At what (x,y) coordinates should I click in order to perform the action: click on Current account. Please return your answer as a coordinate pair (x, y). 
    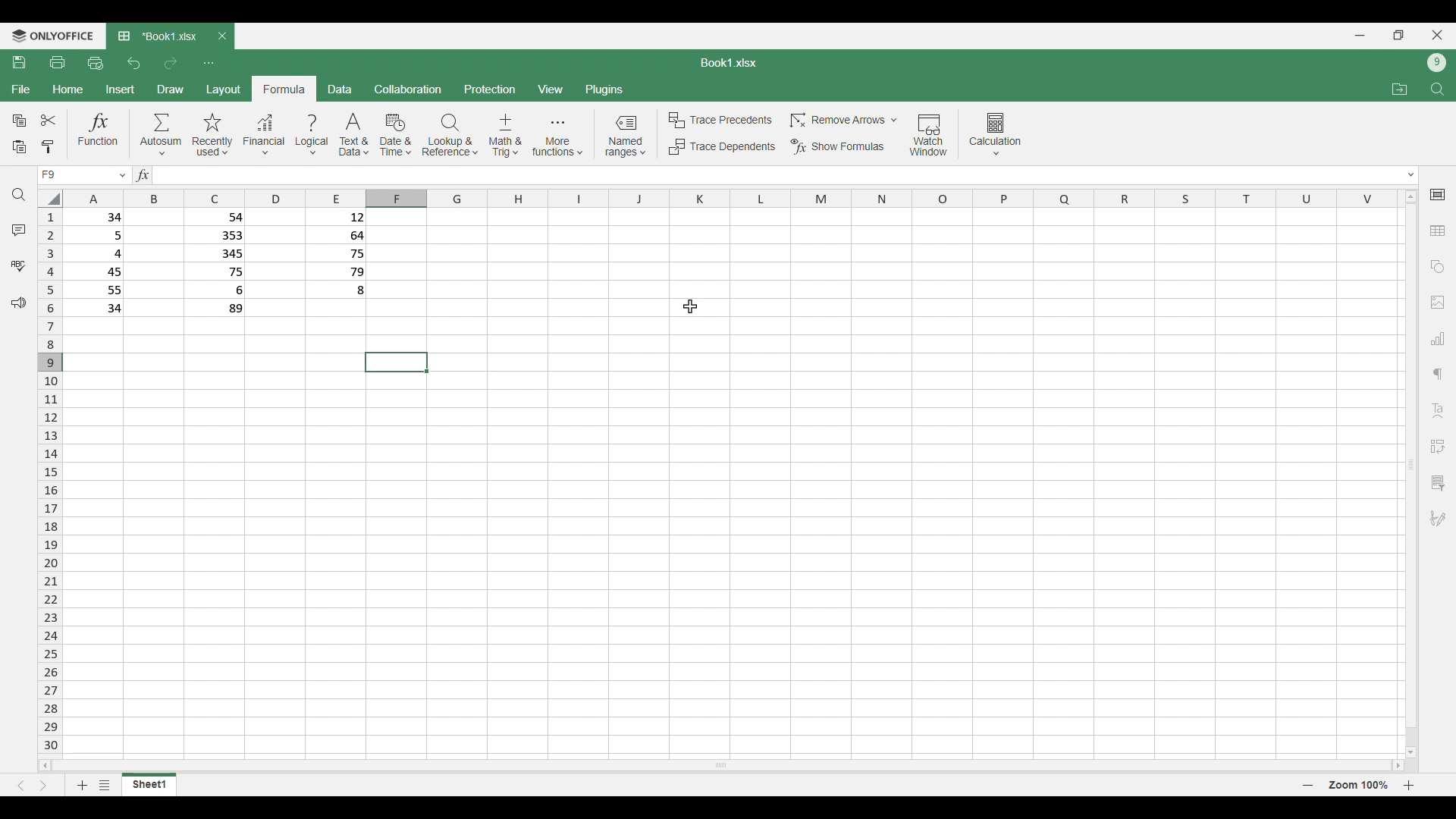
    Looking at the image, I should click on (1437, 63).